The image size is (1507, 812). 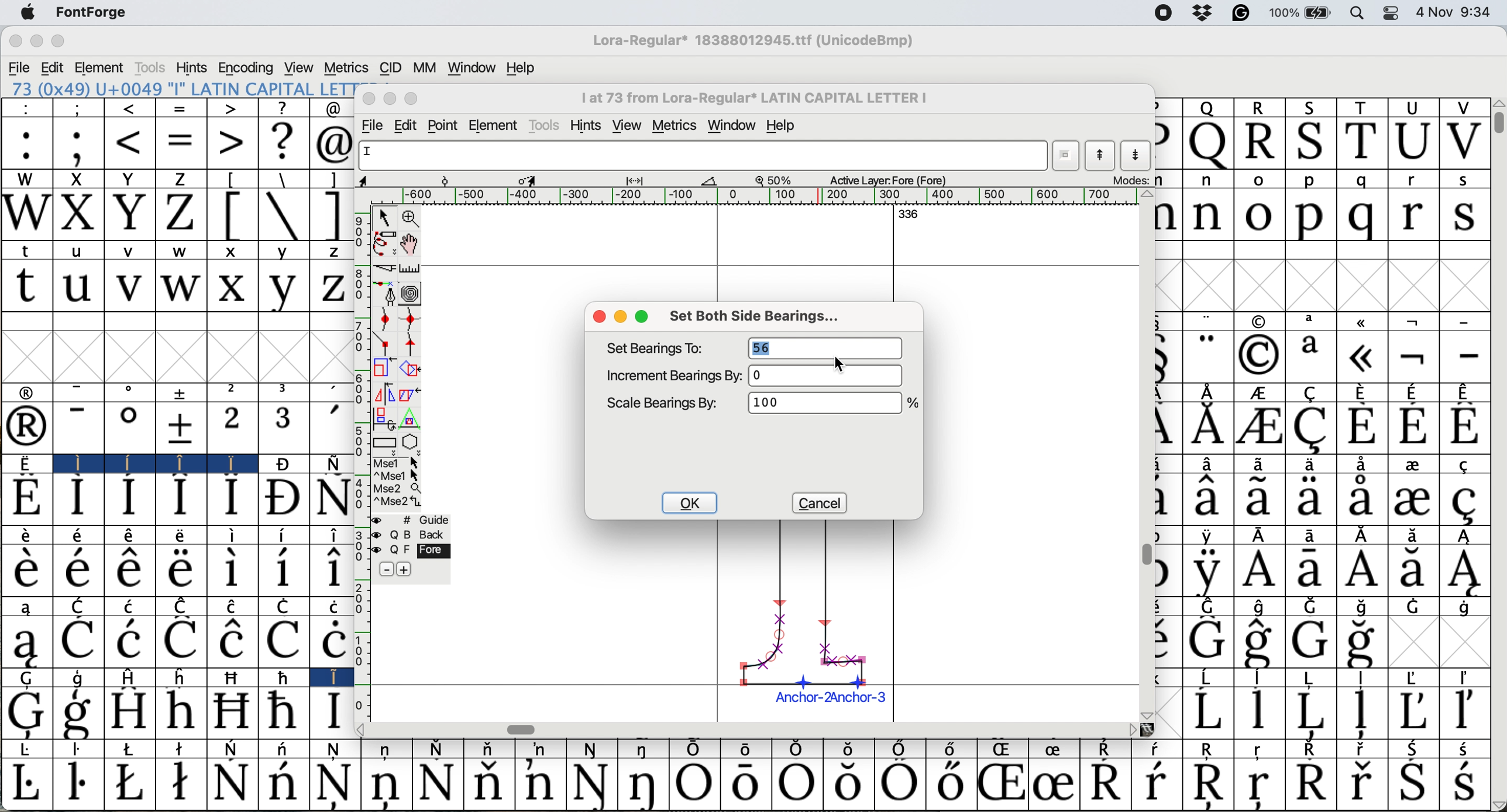 I want to click on Symbol, so click(x=1364, y=535).